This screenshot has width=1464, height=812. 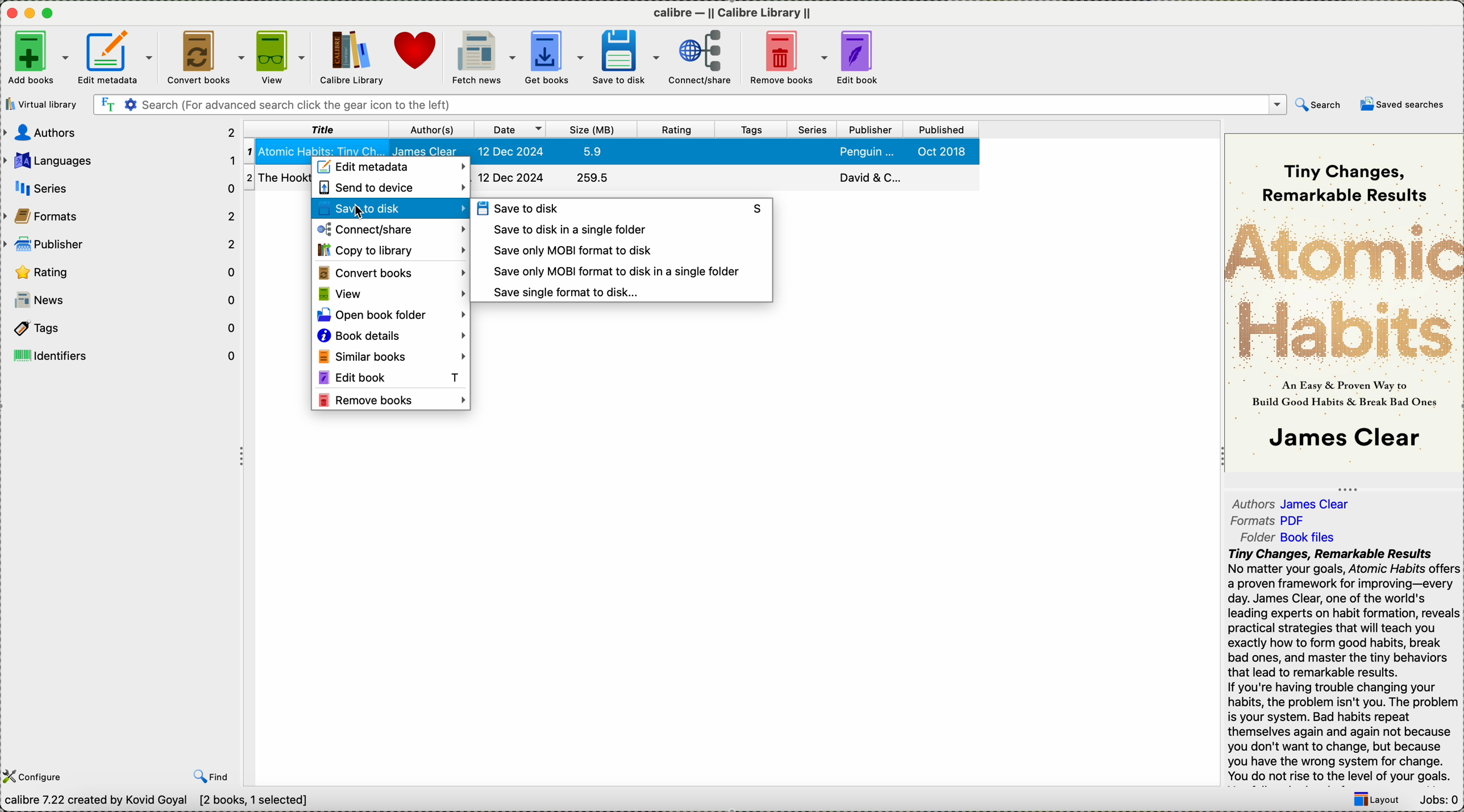 What do you see at coordinates (552, 57) in the screenshot?
I see `get books` at bounding box center [552, 57].